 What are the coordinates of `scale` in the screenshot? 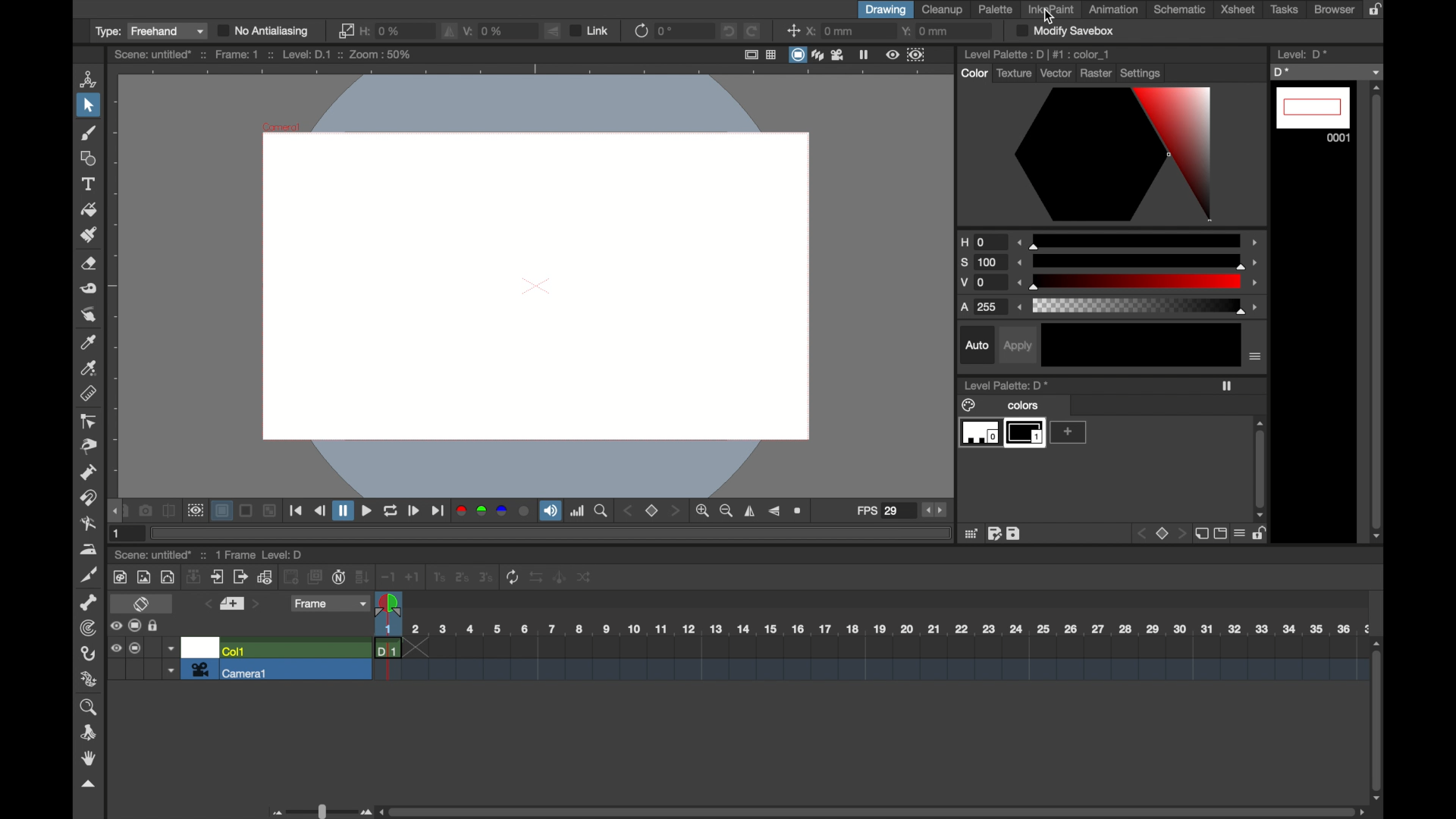 It's located at (1138, 261).